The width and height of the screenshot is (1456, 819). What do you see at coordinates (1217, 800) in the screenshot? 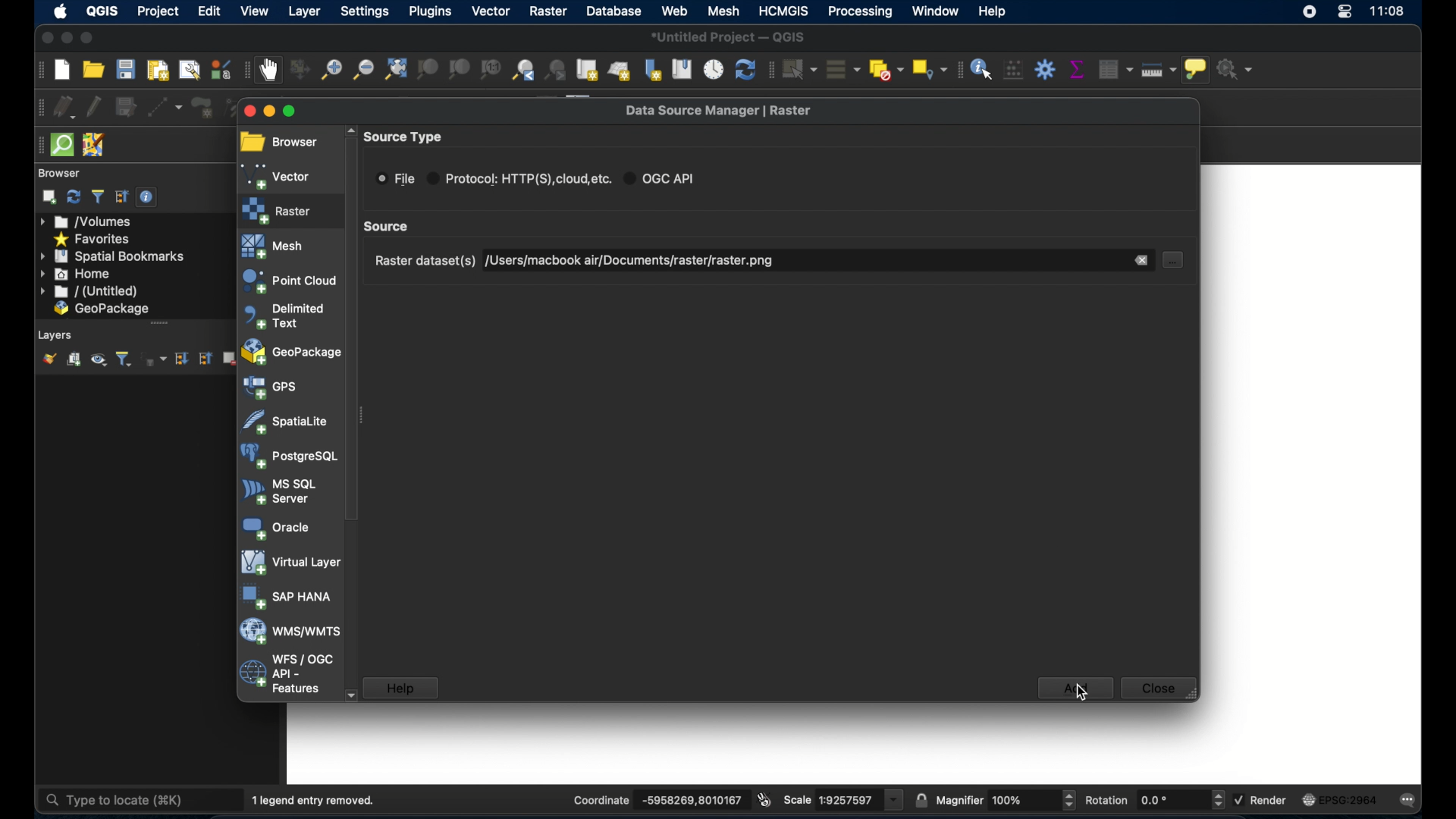
I see `Increase or decrease` at bounding box center [1217, 800].